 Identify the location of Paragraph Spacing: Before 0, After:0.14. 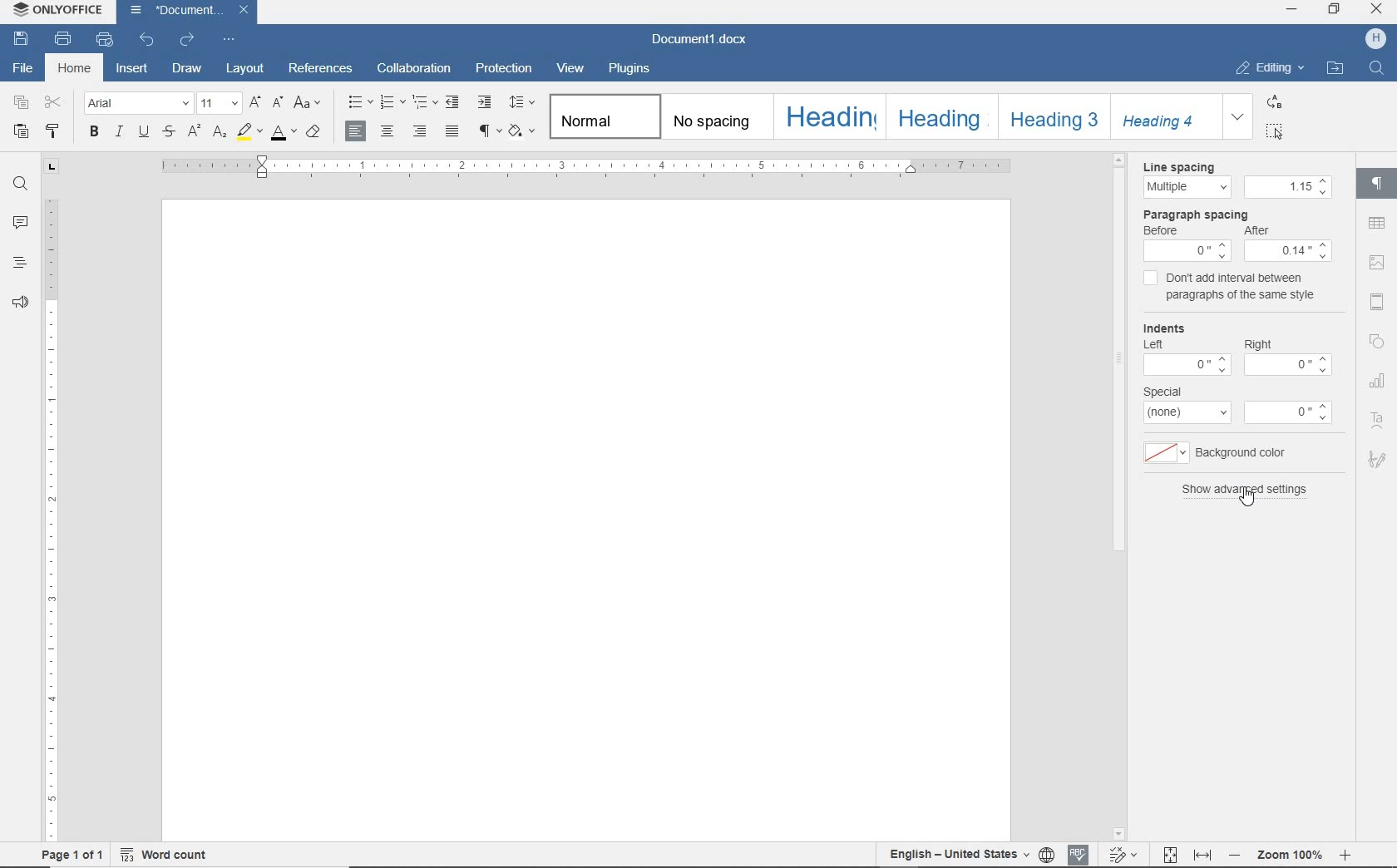
(1230, 236).